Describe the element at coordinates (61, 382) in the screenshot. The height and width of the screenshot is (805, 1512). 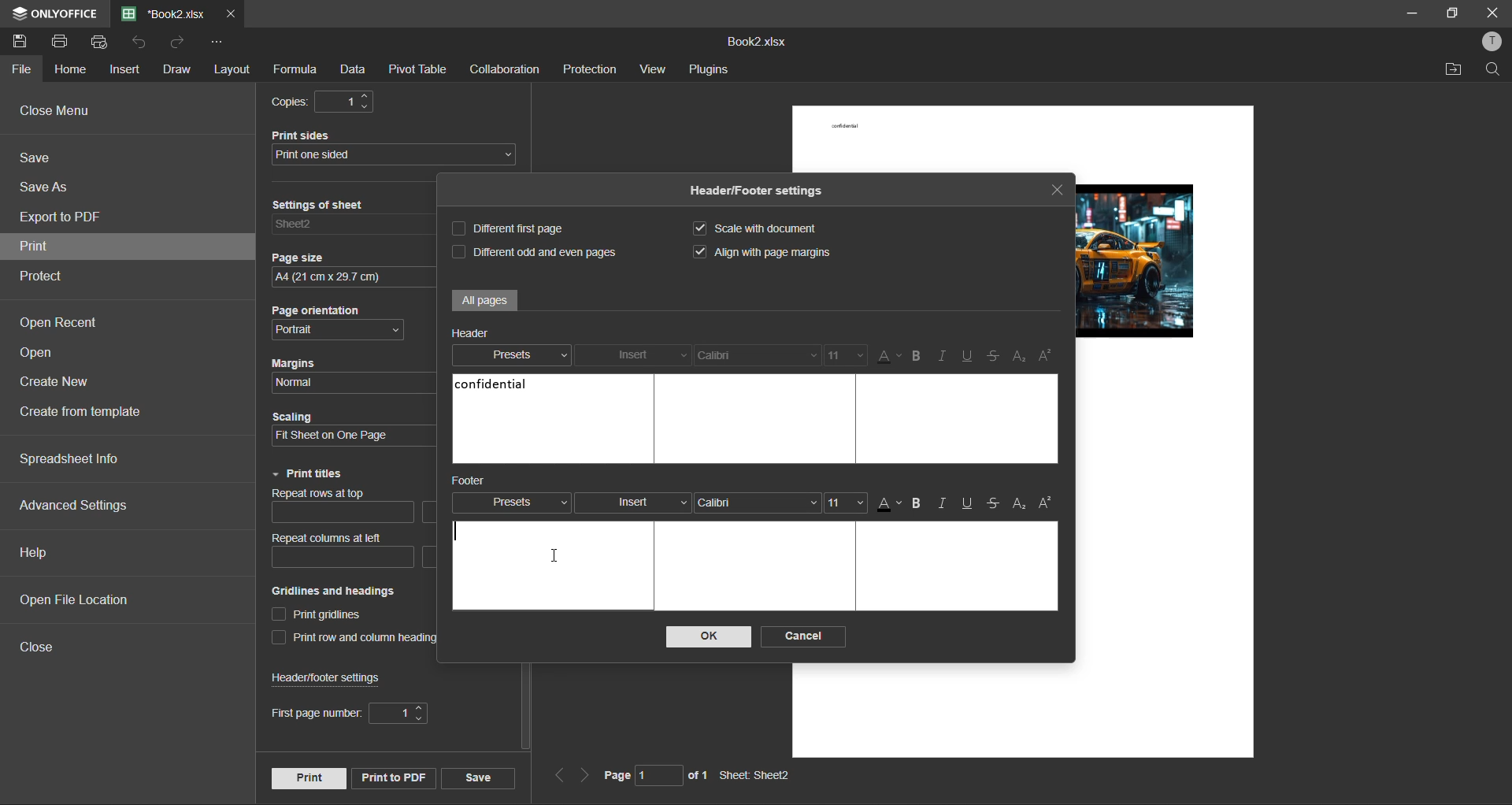
I see `create new` at that location.